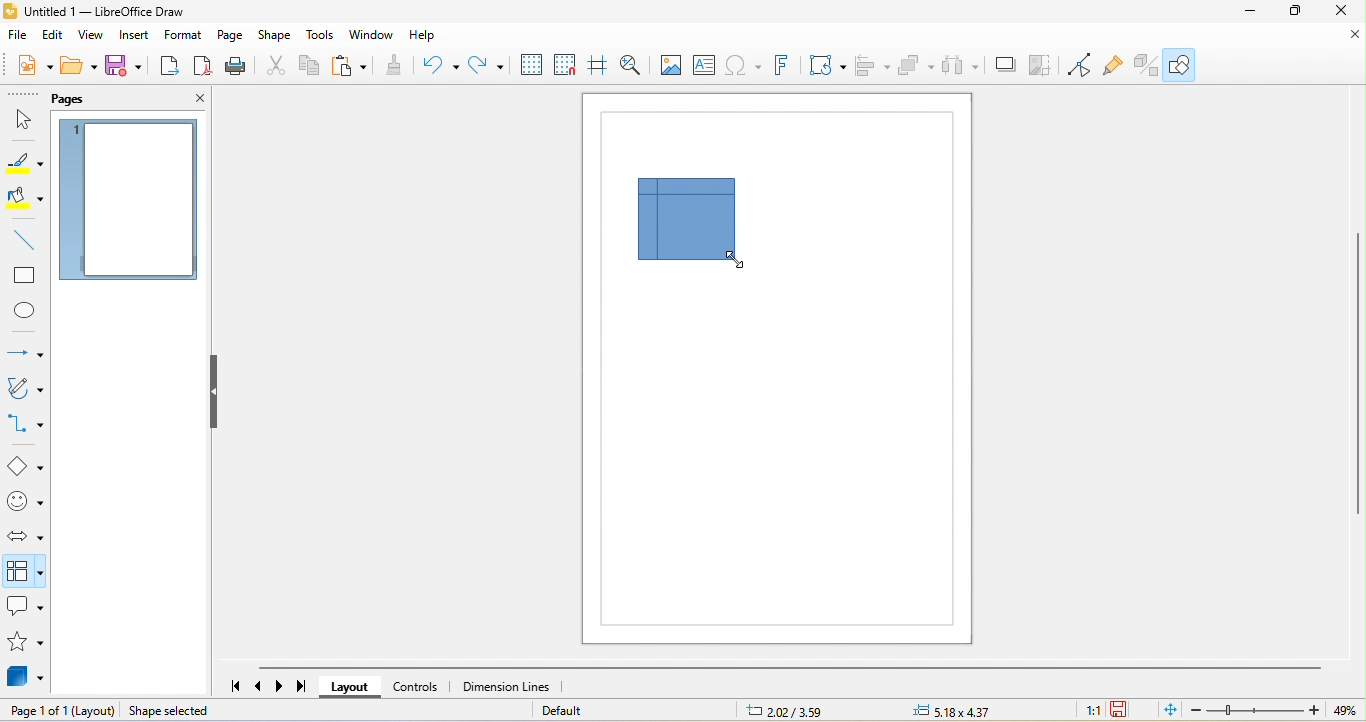  What do you see at coordinates (786, 710) in the screenshot?
I see `2.02/3.59` at bounding box center [786, 710].